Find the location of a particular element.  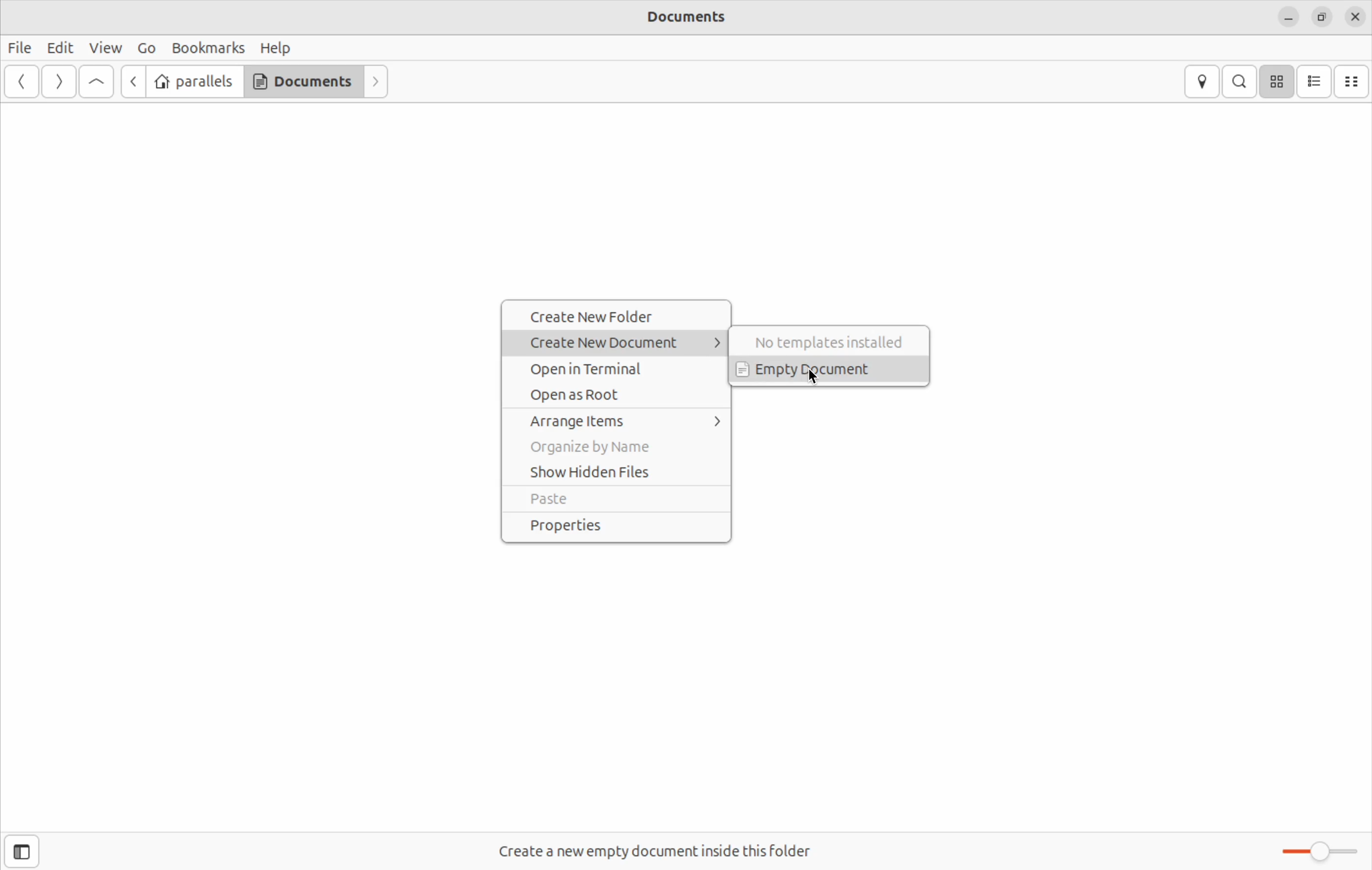

resize is located at coordinates (1320, 16).